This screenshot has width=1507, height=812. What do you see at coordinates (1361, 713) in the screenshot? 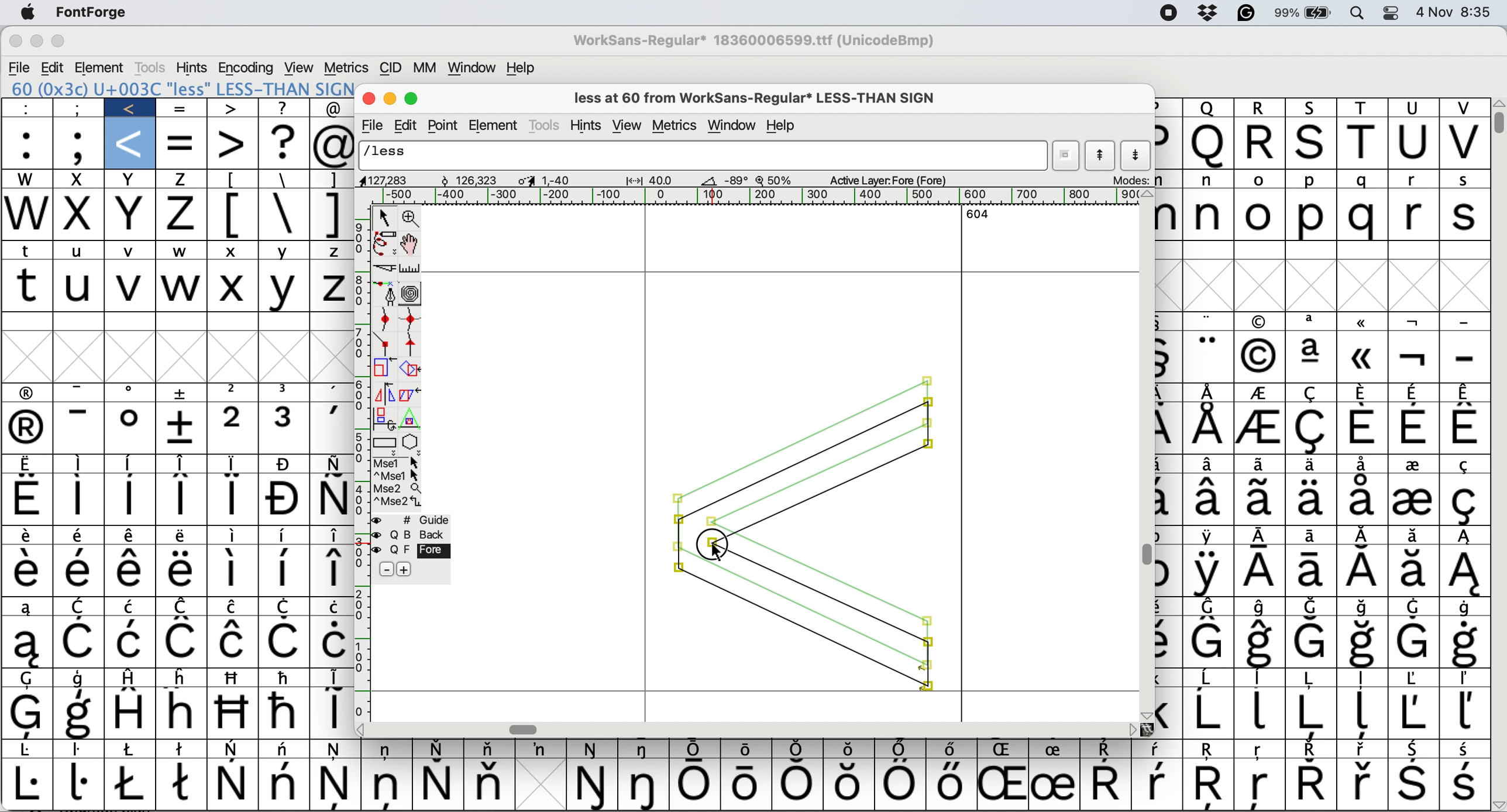
I see `Symbol` at bounding box center [1361, 713].